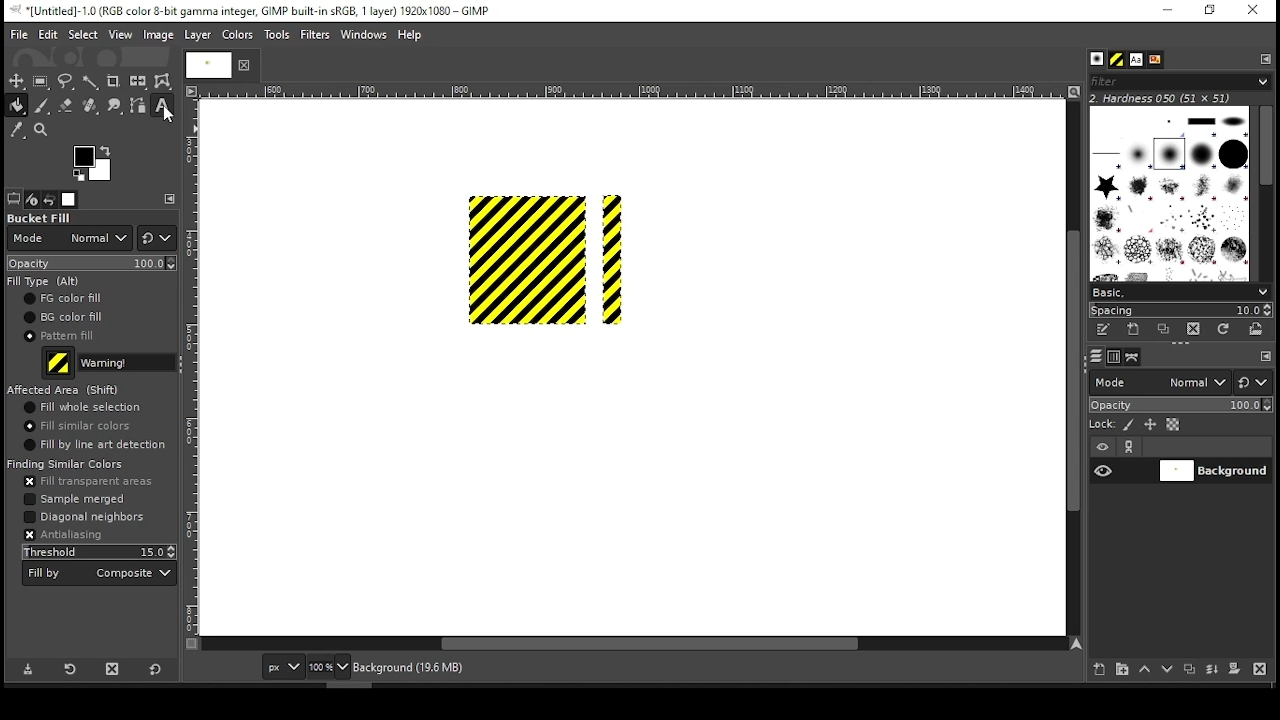  I want to click on minimize, so click(1166, 11).